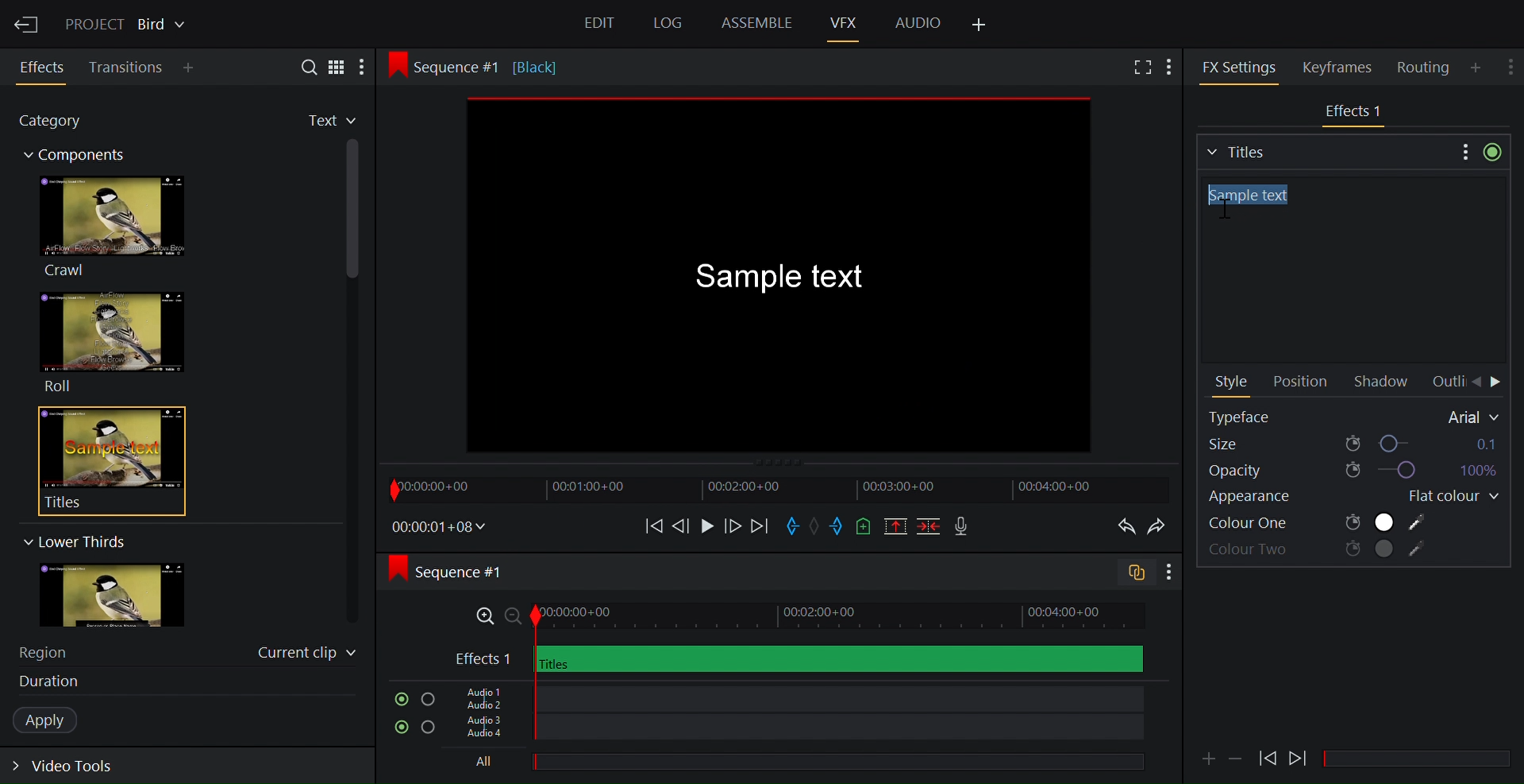 Image resolution: width=1524 pixels, height=784 pixels. I want to click on VFX, so click(845, 22).